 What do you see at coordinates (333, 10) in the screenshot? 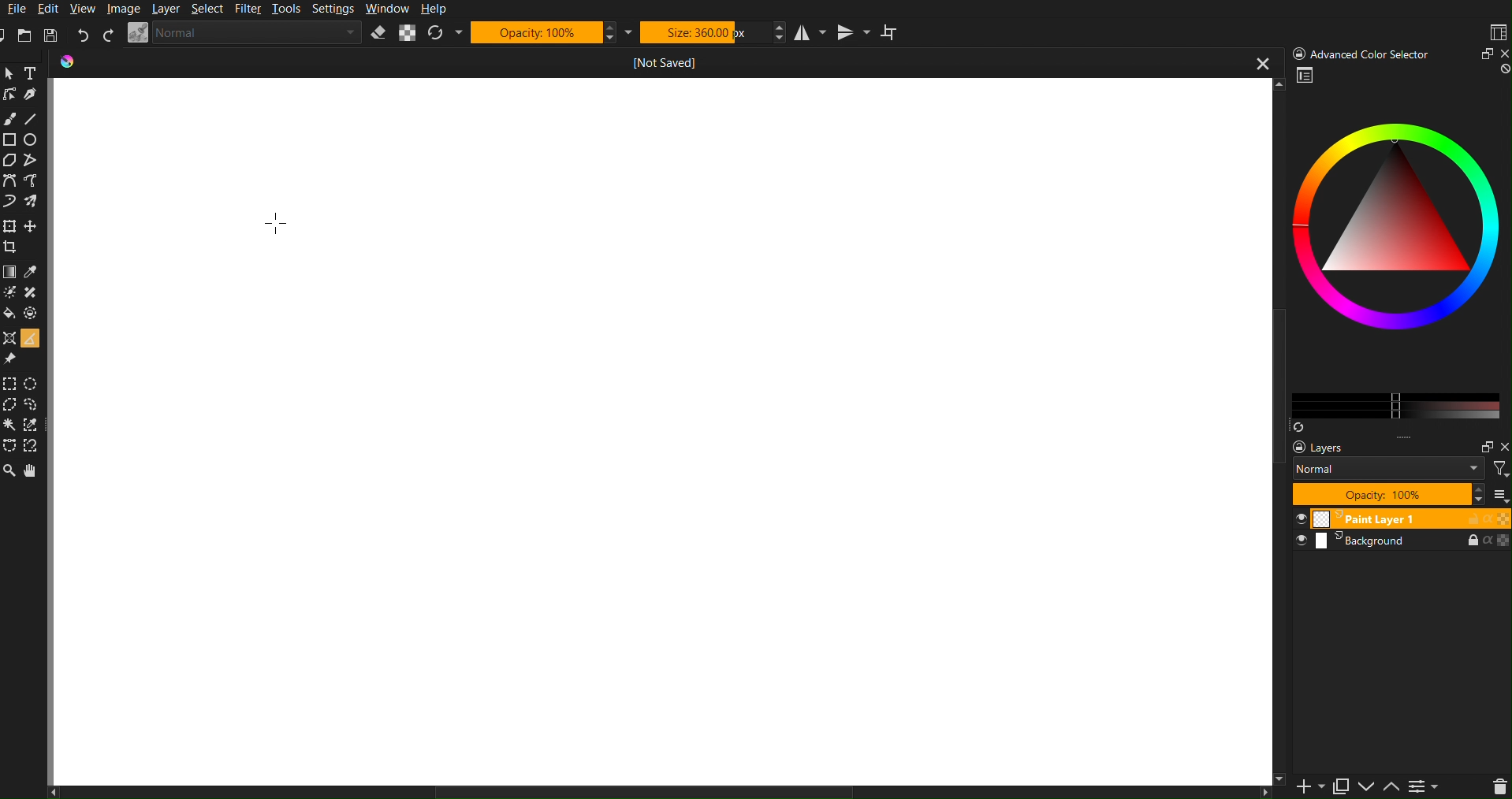
I see `Settings` at bounding box center [333, 10].